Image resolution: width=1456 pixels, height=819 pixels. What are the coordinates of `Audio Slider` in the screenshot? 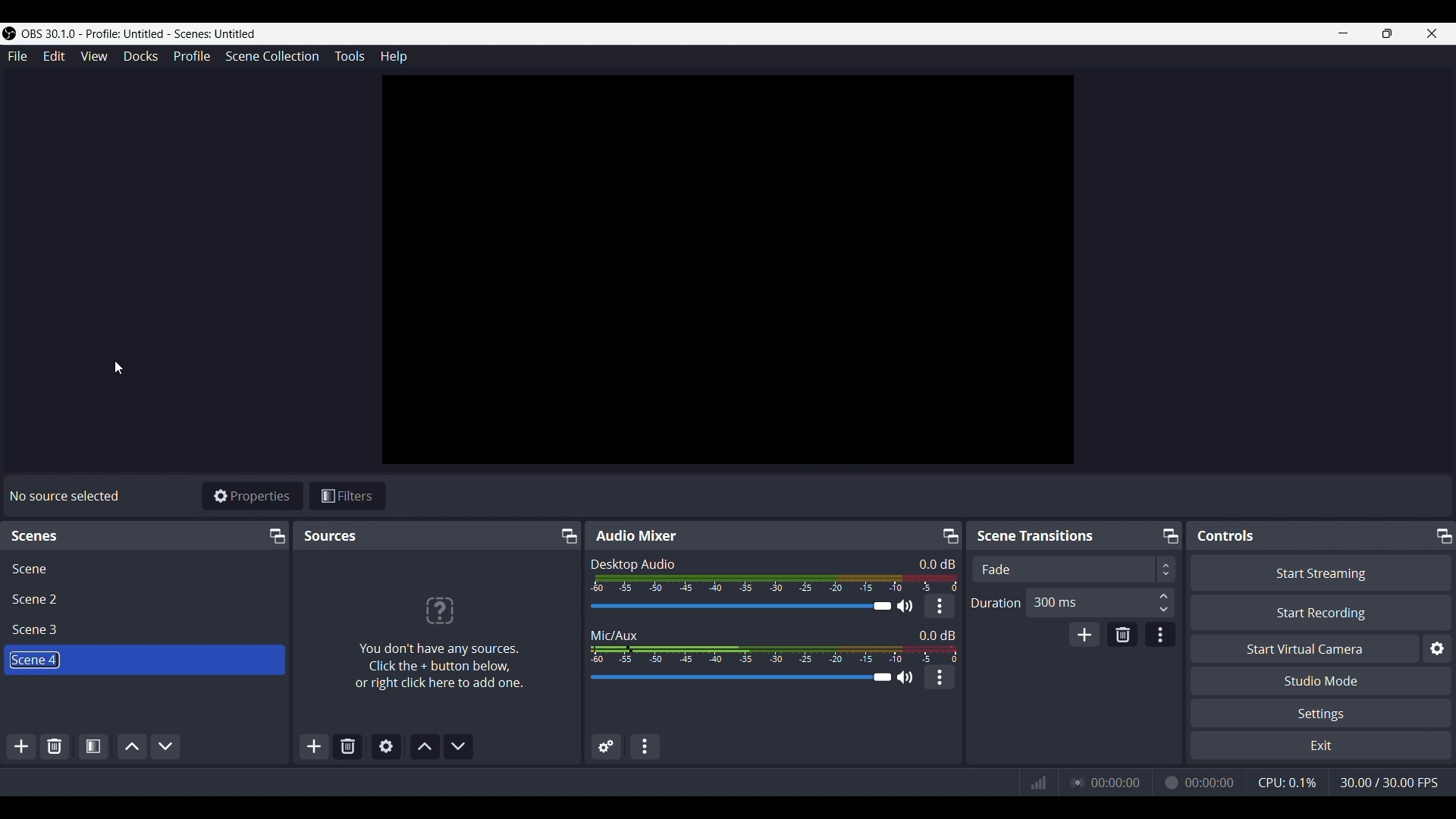 It's located at (739, 678).